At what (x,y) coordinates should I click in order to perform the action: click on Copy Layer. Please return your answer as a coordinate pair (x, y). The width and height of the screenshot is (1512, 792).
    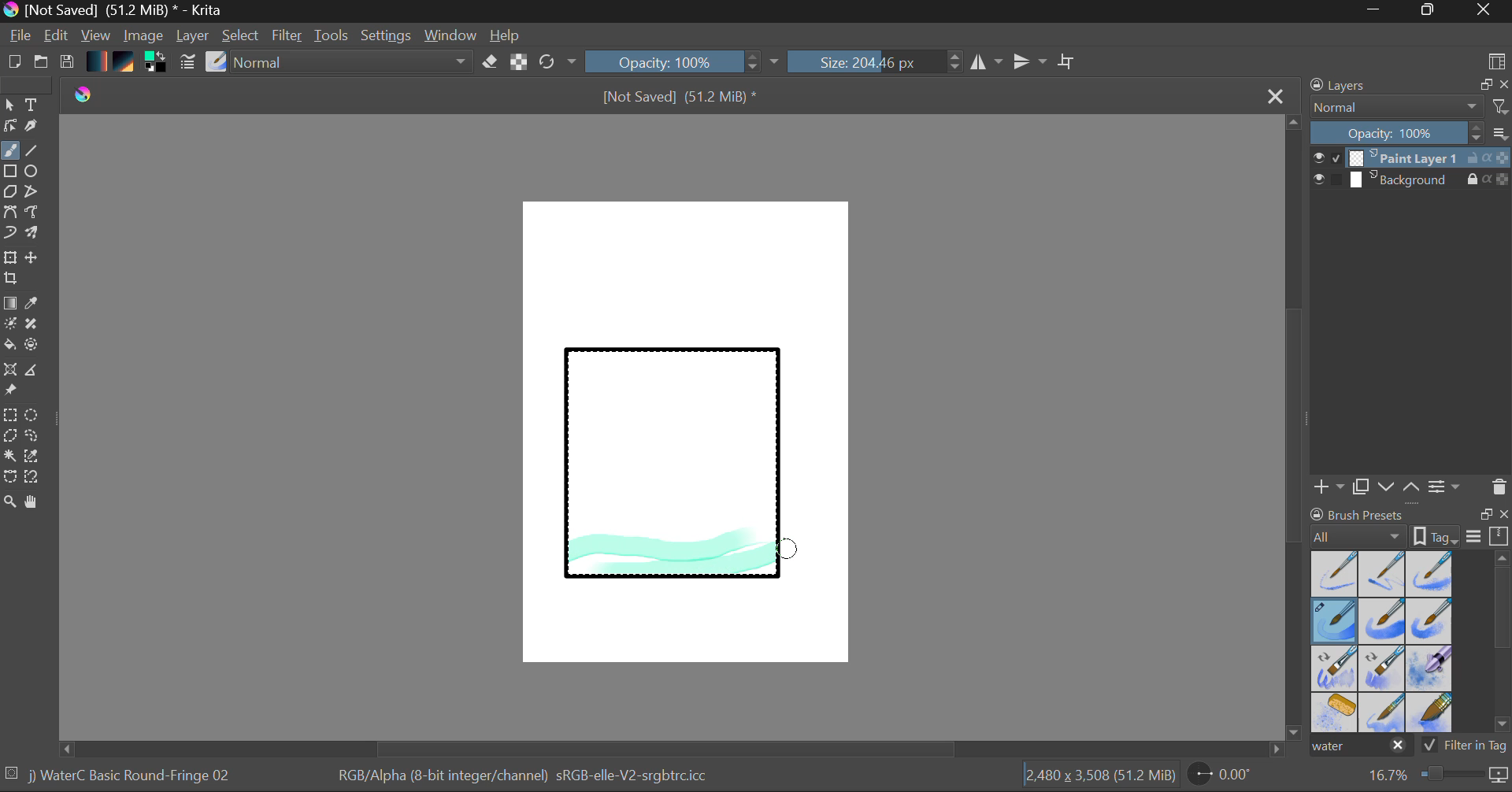
    Looking at the image, I should click on (1362, 487).